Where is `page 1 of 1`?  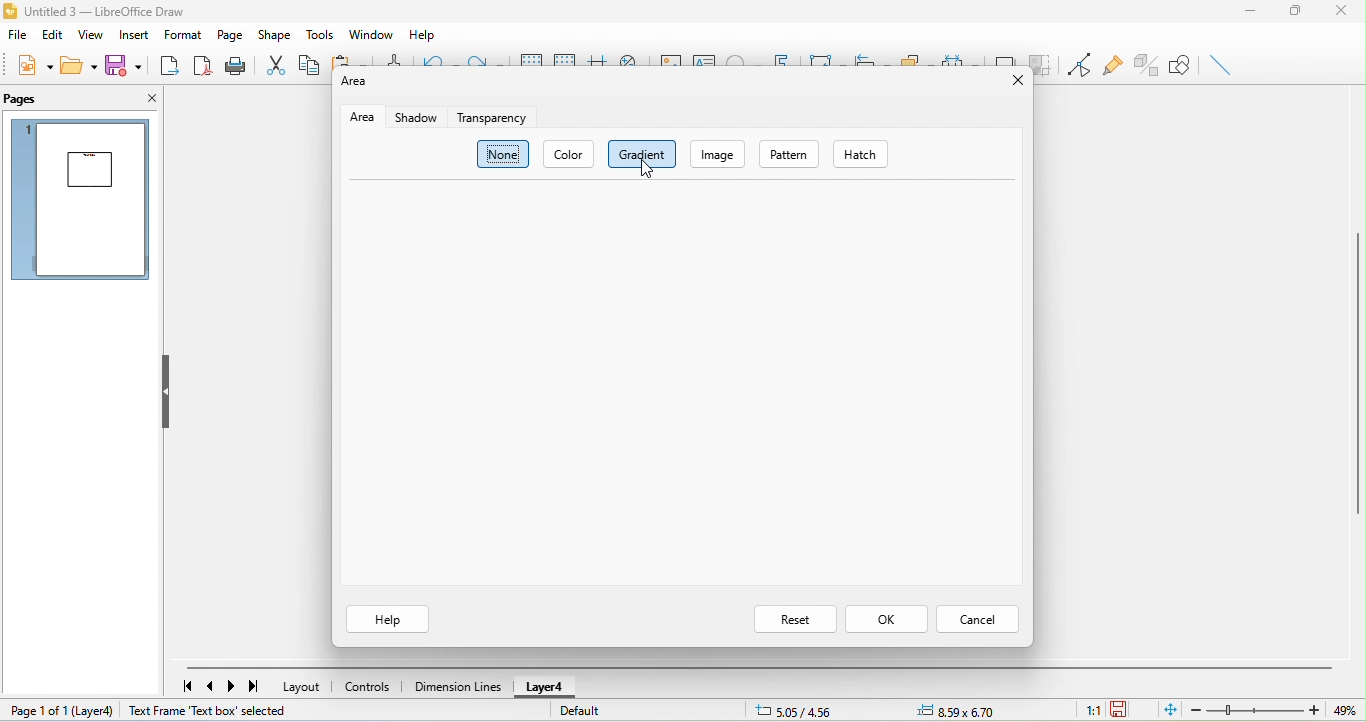
page 1 of 1 is located at coordinates (37, 712).